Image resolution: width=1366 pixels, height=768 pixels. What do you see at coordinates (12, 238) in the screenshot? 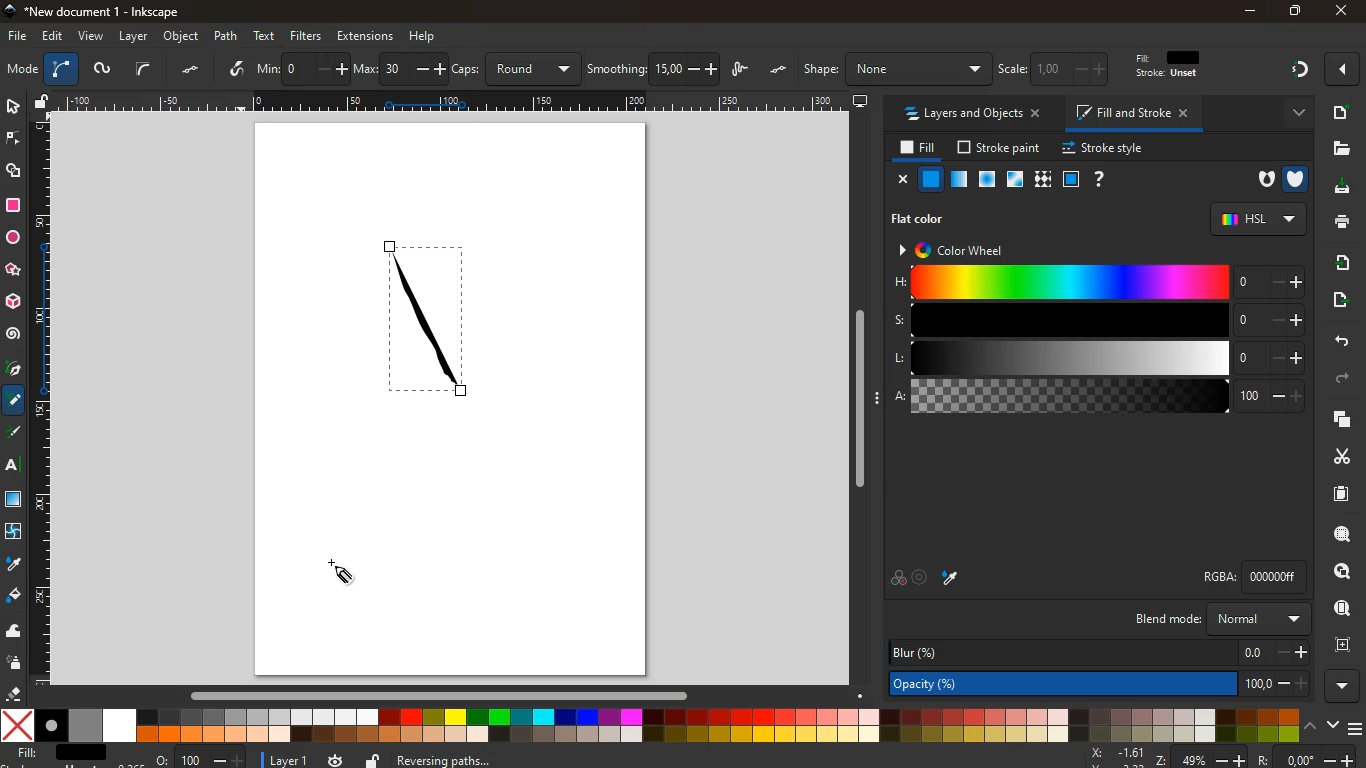
I see `circle` at bounding box center [12, 238].